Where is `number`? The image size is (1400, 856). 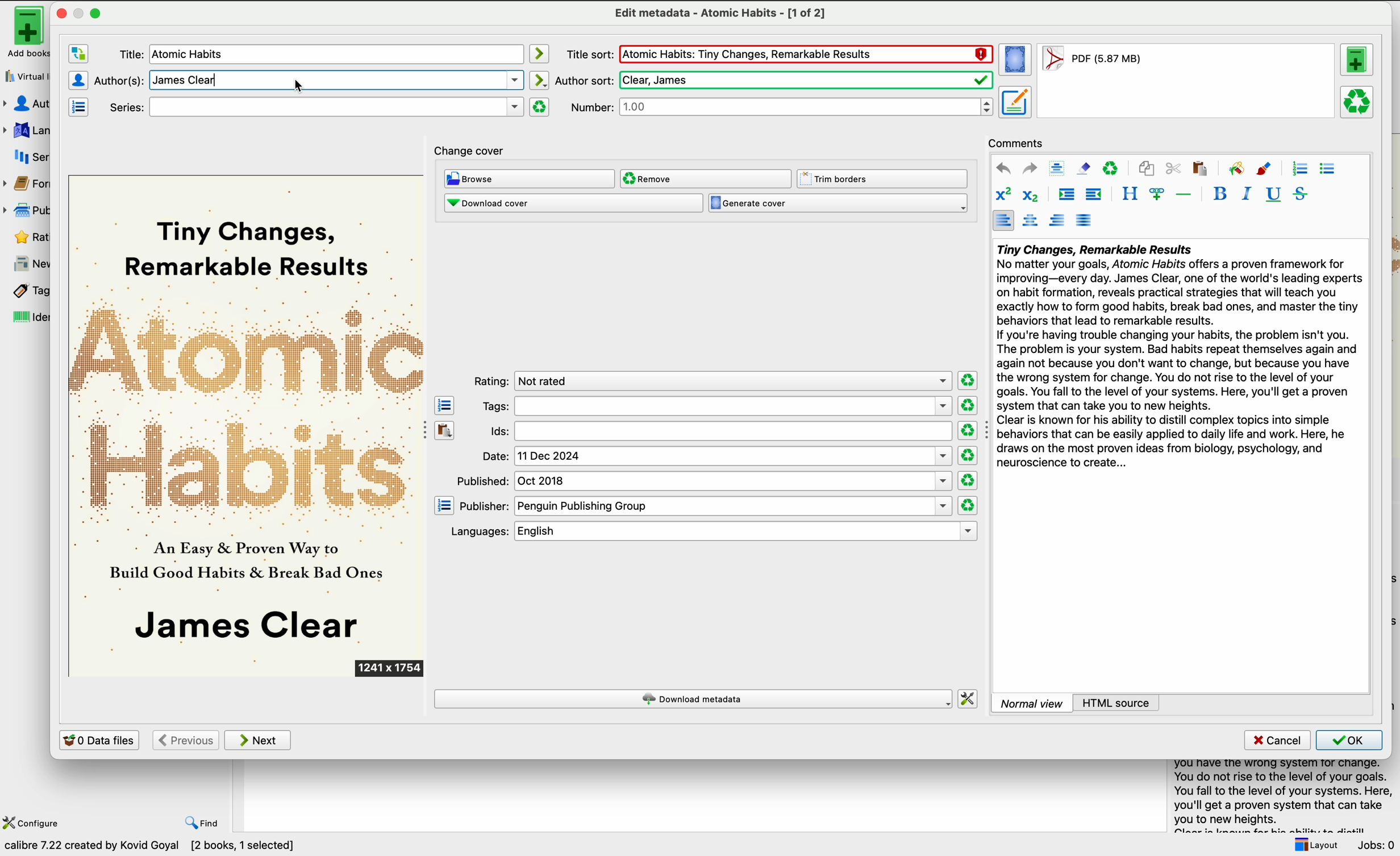 number is located at coordinates (782, 107).